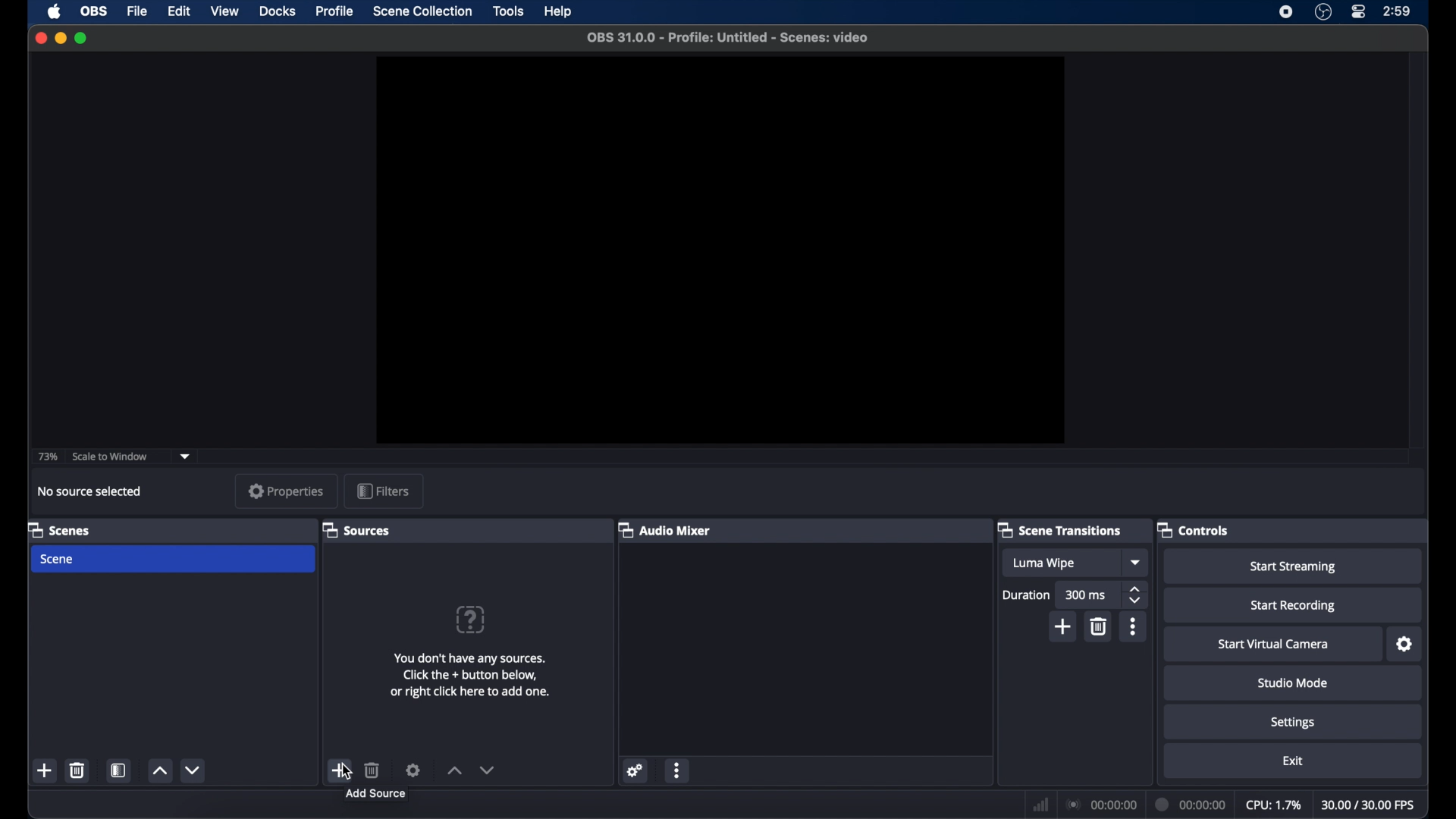  Describe the element at coordinates (1137, 562) in the screenshot. I see `dropdown` at that location.